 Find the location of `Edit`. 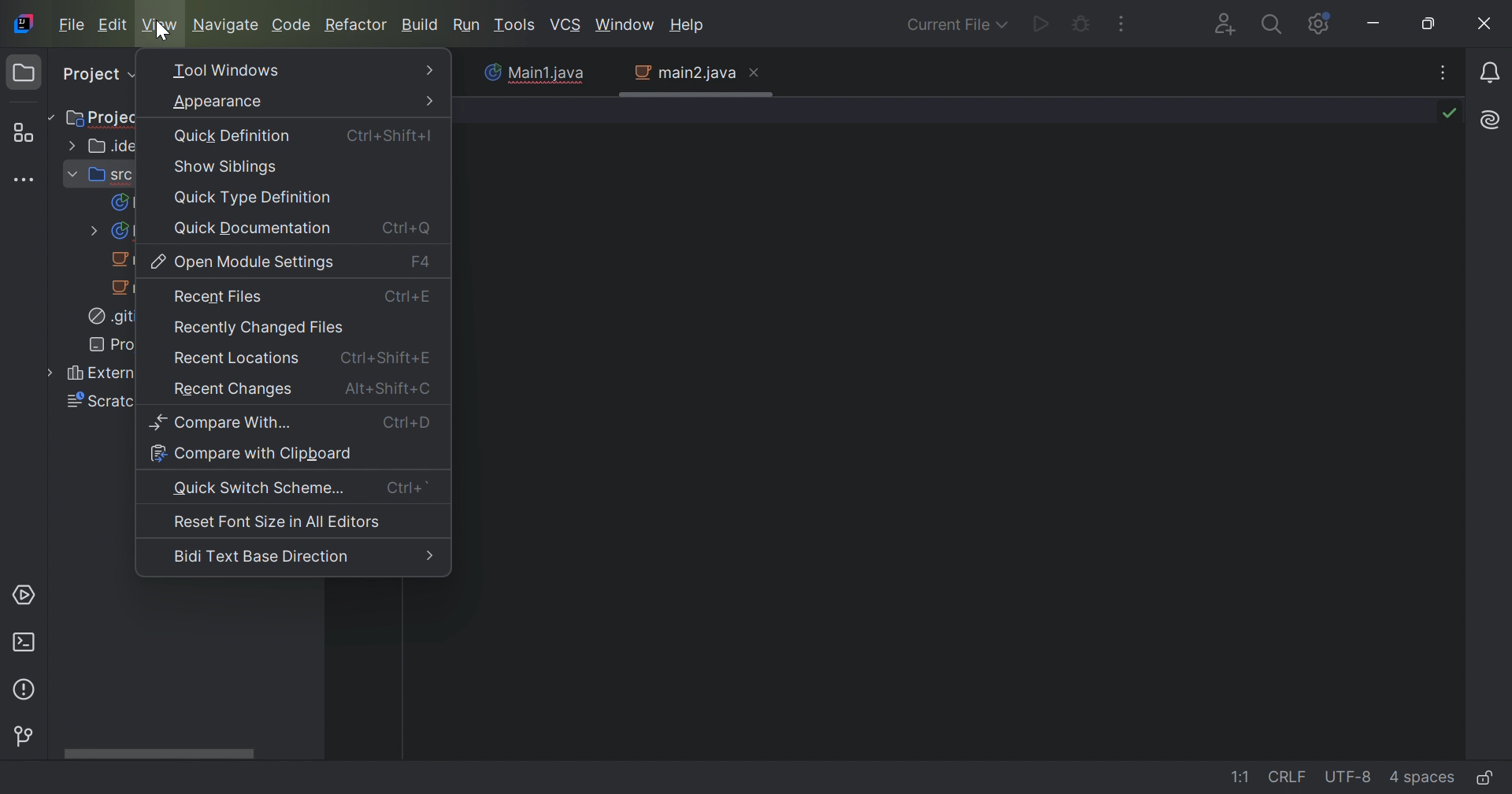

Edit is located at coordinates (113, 24).